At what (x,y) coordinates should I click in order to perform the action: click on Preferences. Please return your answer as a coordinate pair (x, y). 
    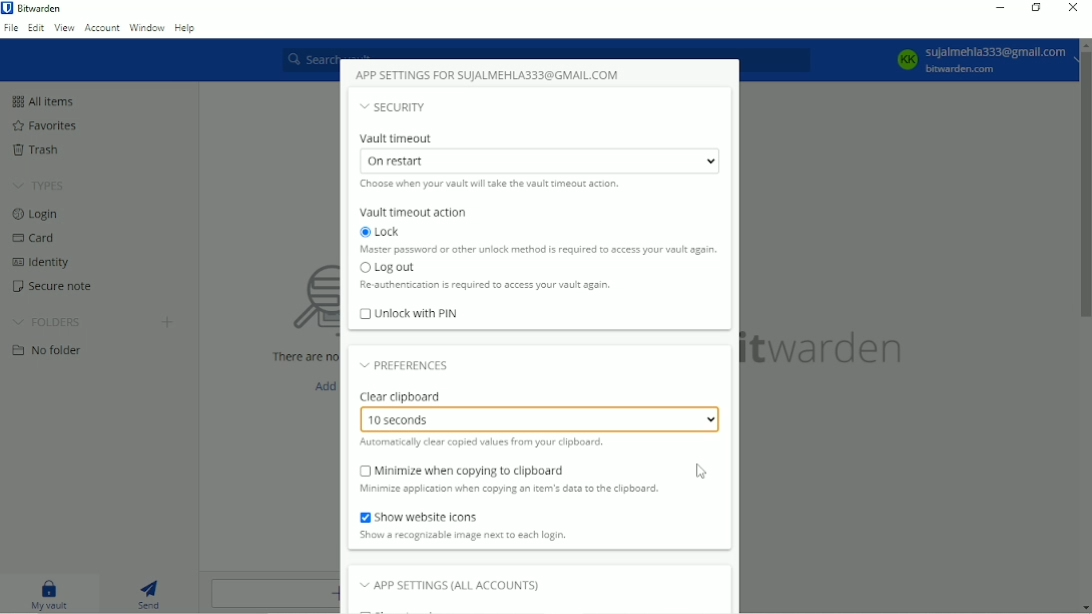
    Looking at the image, I should click on (408, 365).